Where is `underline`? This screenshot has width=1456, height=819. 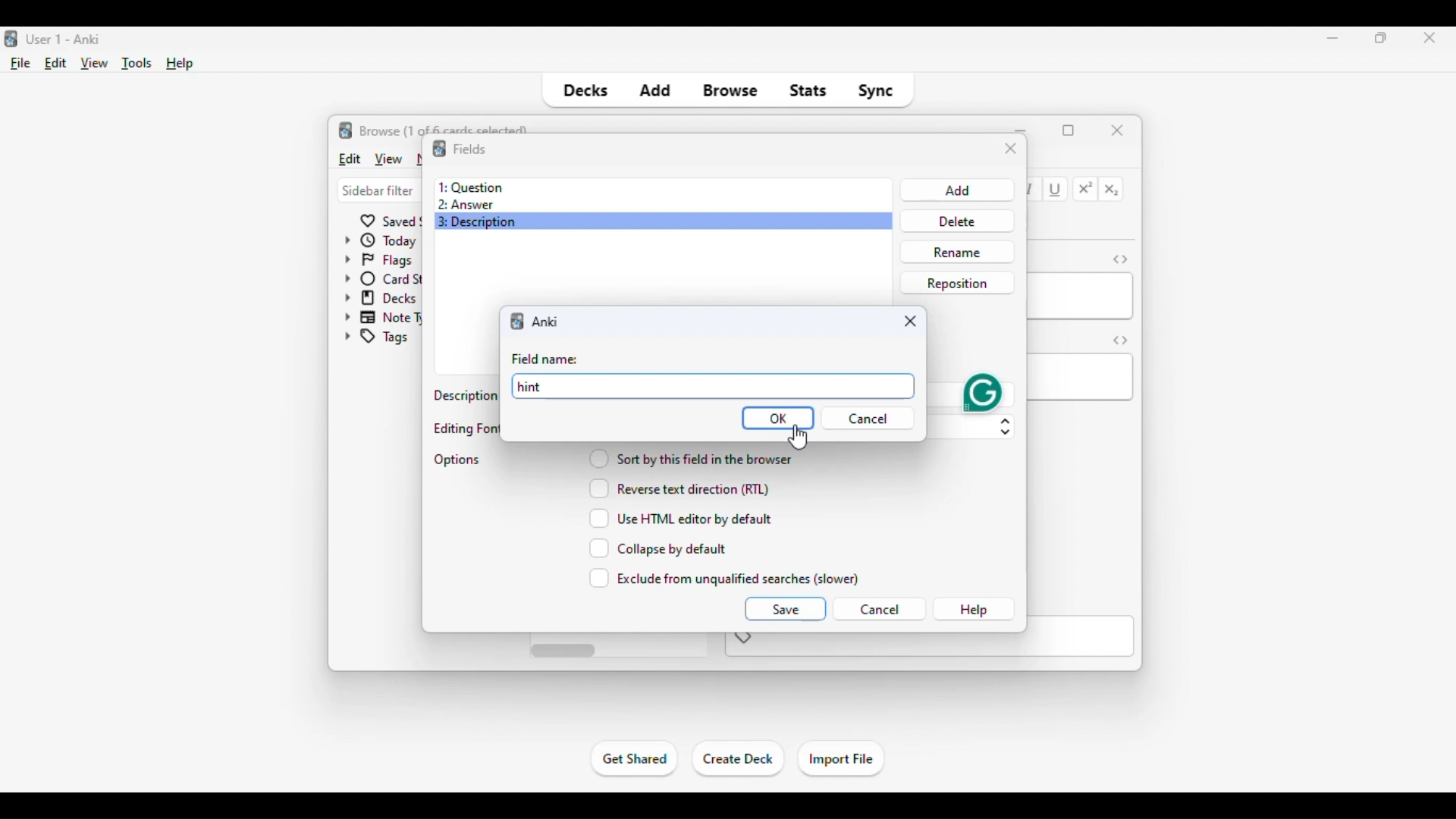 underline is located at coordinates (1056, 190).